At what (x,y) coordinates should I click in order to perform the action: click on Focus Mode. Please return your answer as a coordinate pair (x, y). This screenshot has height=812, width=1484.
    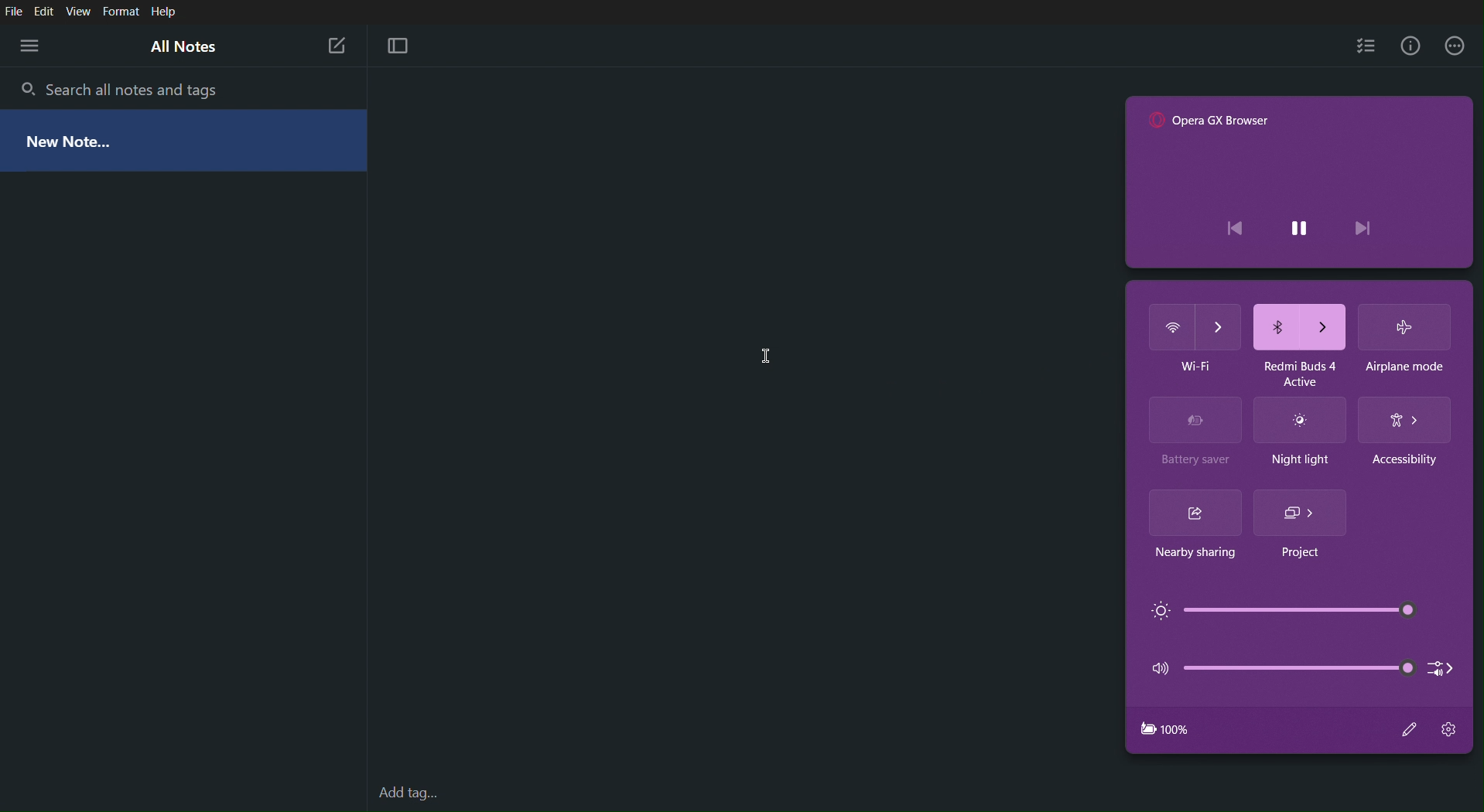
    Looking at the image, I should click on (399, 46).